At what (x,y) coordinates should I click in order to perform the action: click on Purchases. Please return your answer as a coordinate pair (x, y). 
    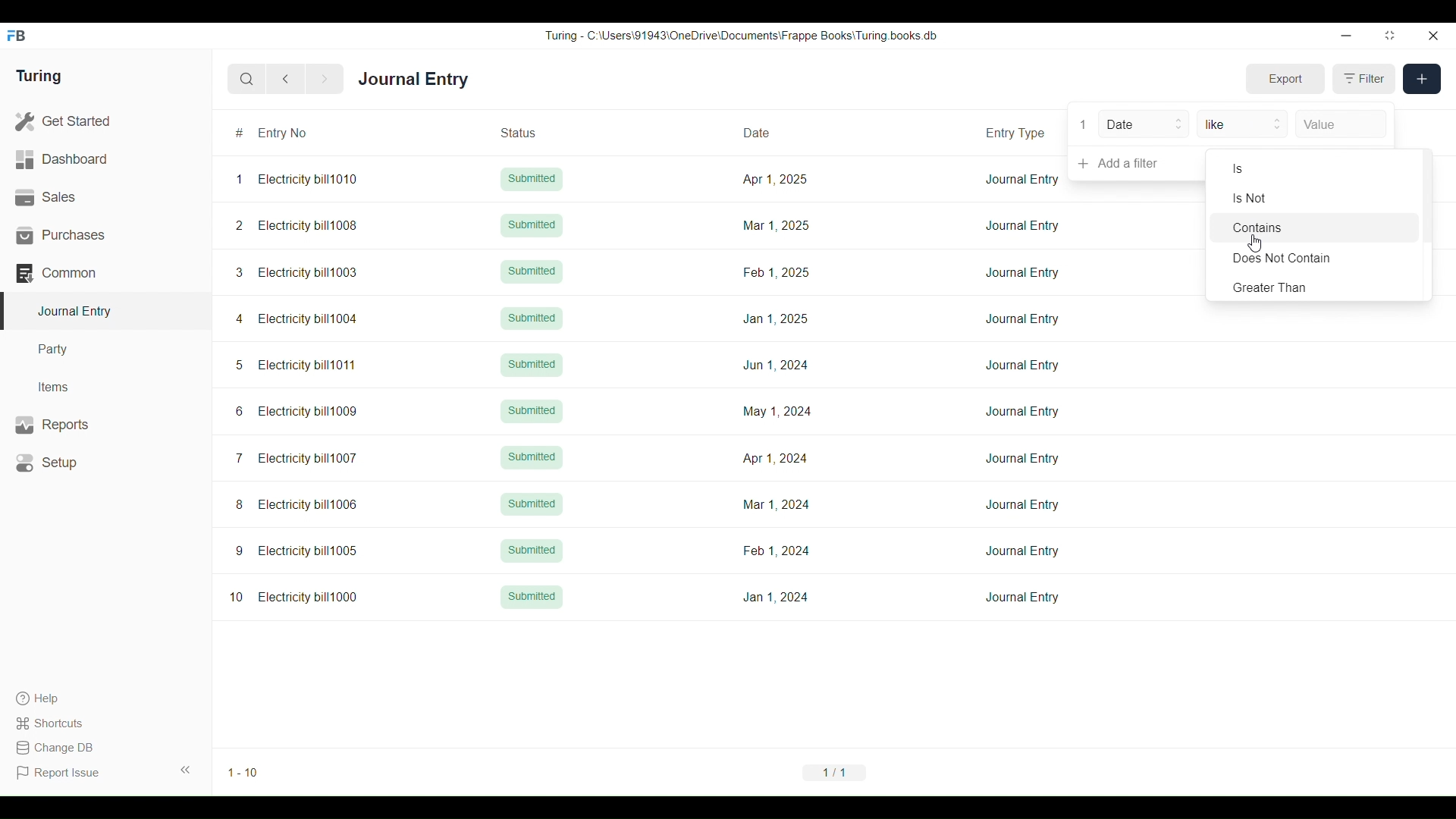
    Looking at the image, I should click on (105, 235).